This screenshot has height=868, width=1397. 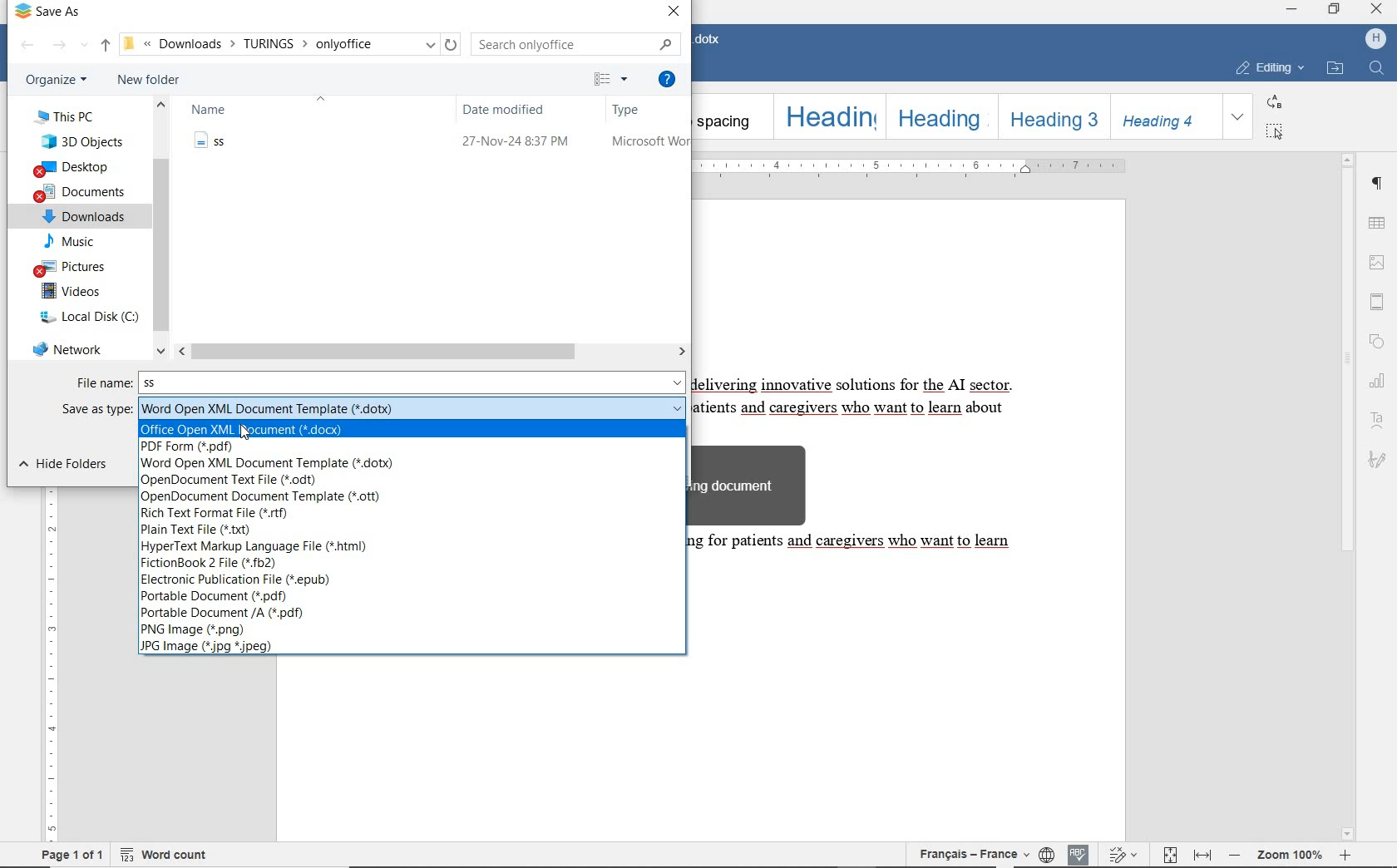 I want to click on DOTX, so click(x=412, y=408).